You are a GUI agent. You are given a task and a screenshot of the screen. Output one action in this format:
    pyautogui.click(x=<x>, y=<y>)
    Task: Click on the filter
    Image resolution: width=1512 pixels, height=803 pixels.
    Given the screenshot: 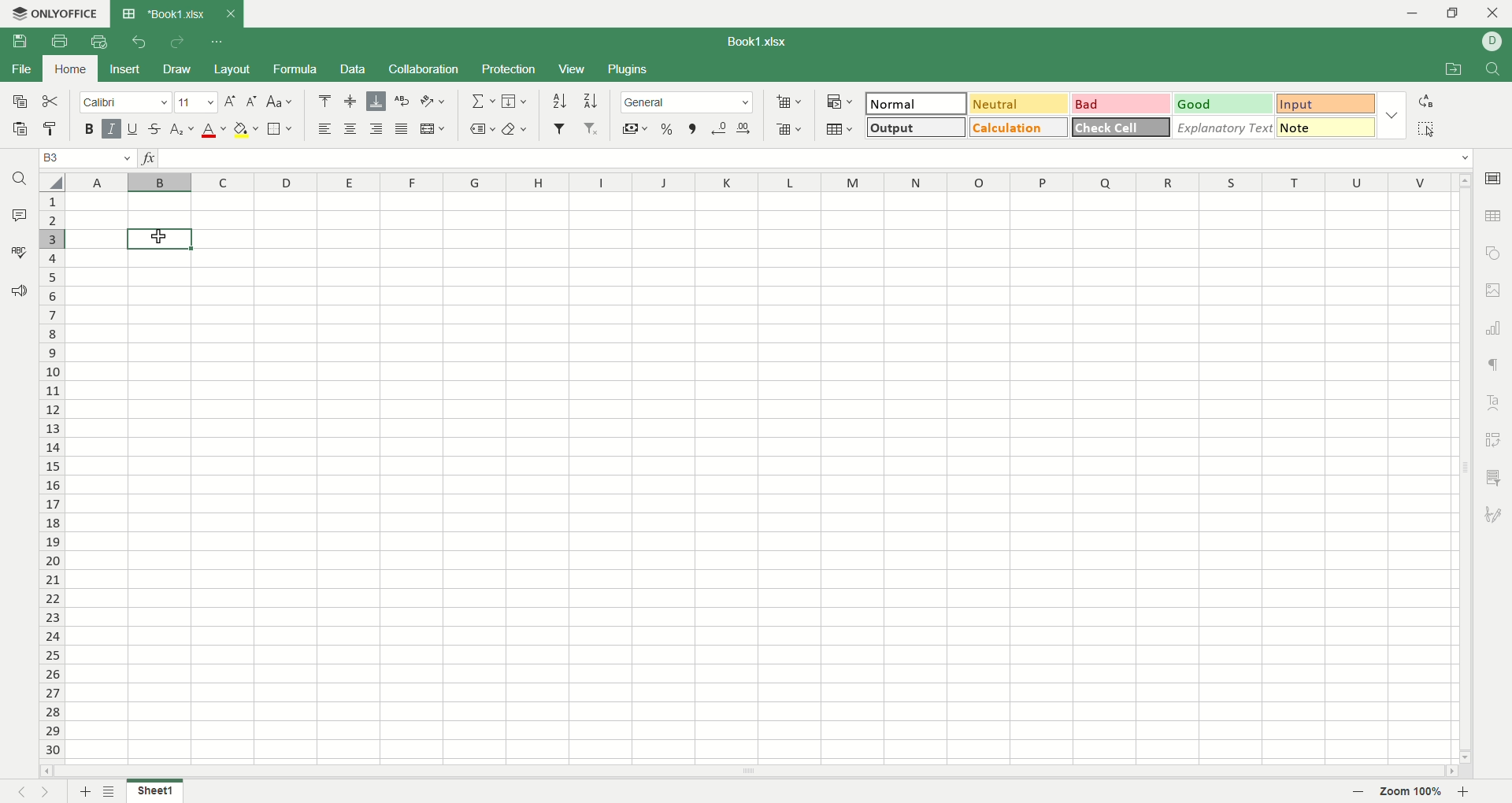 What is the action you would take?
    pyautogui.click(x=561, y=128)
    